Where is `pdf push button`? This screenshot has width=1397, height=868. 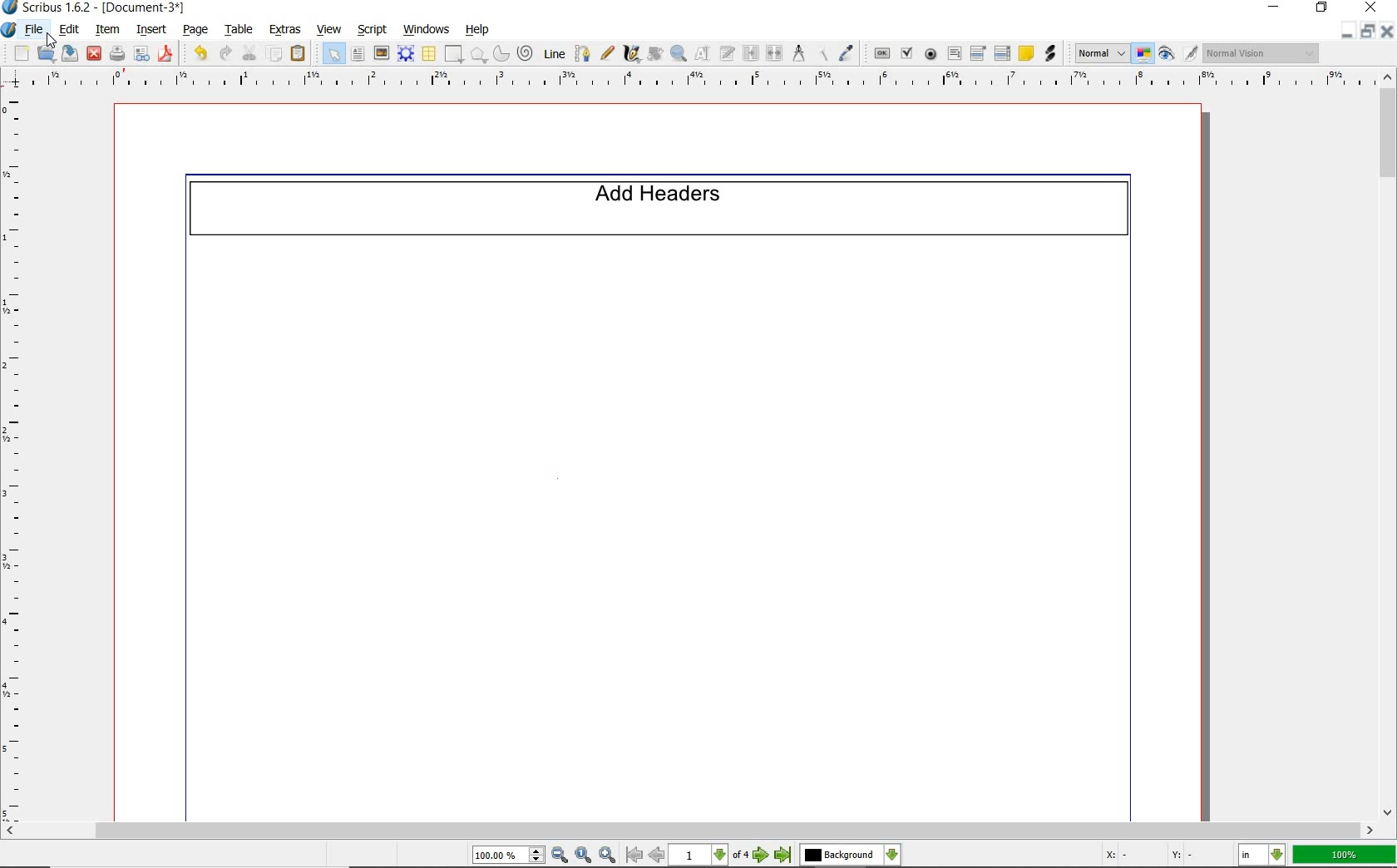 pdf push button is located at coordinates (881, 52).